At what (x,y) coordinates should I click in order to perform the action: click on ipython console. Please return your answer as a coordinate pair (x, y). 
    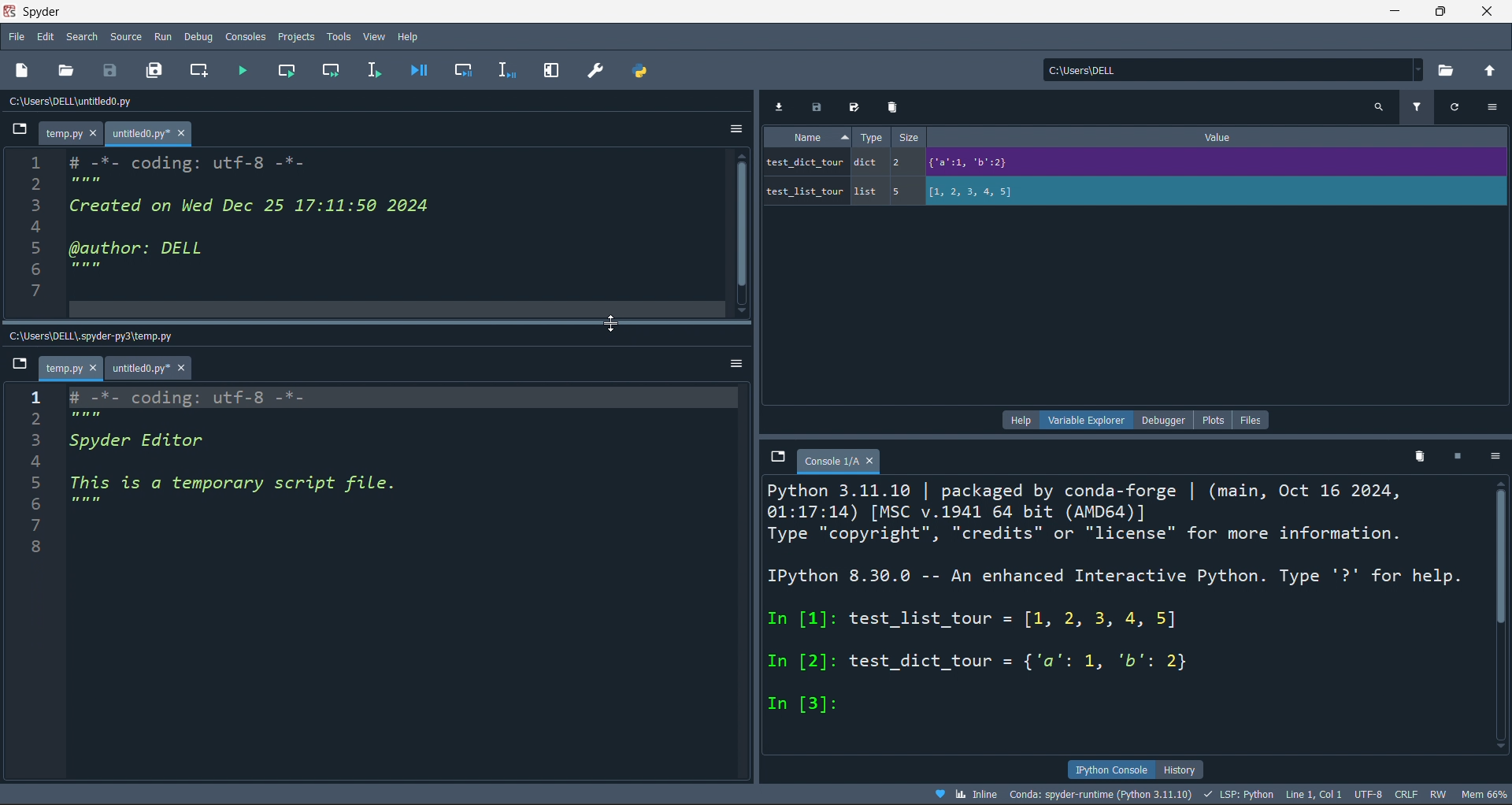
    Looking at the image, I should click on (1107, 768).